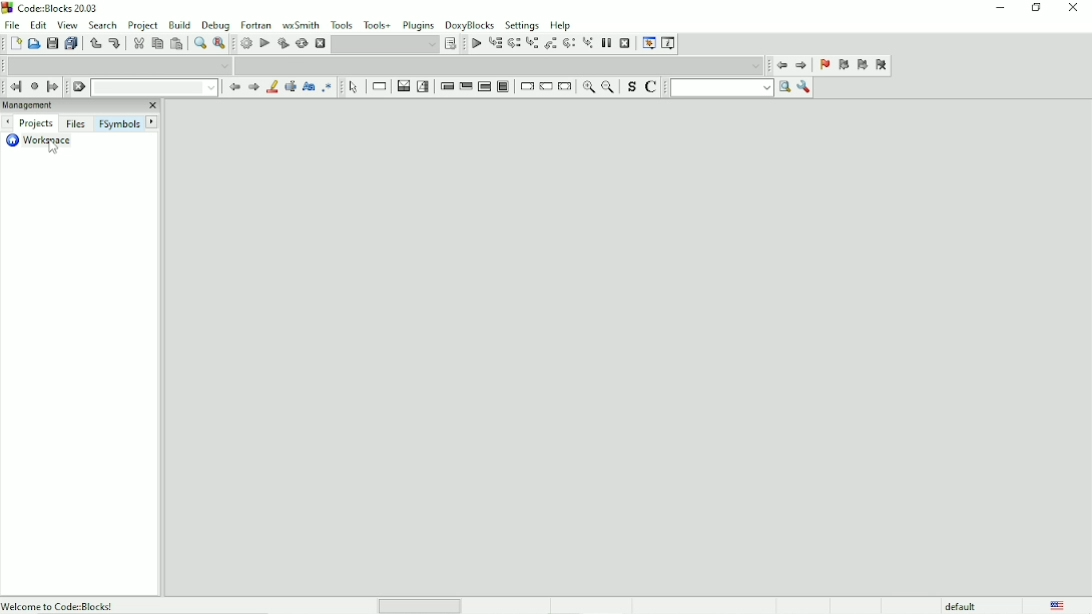 The image size is (1092, 614). I want to click on Step out, so click(550, 45).